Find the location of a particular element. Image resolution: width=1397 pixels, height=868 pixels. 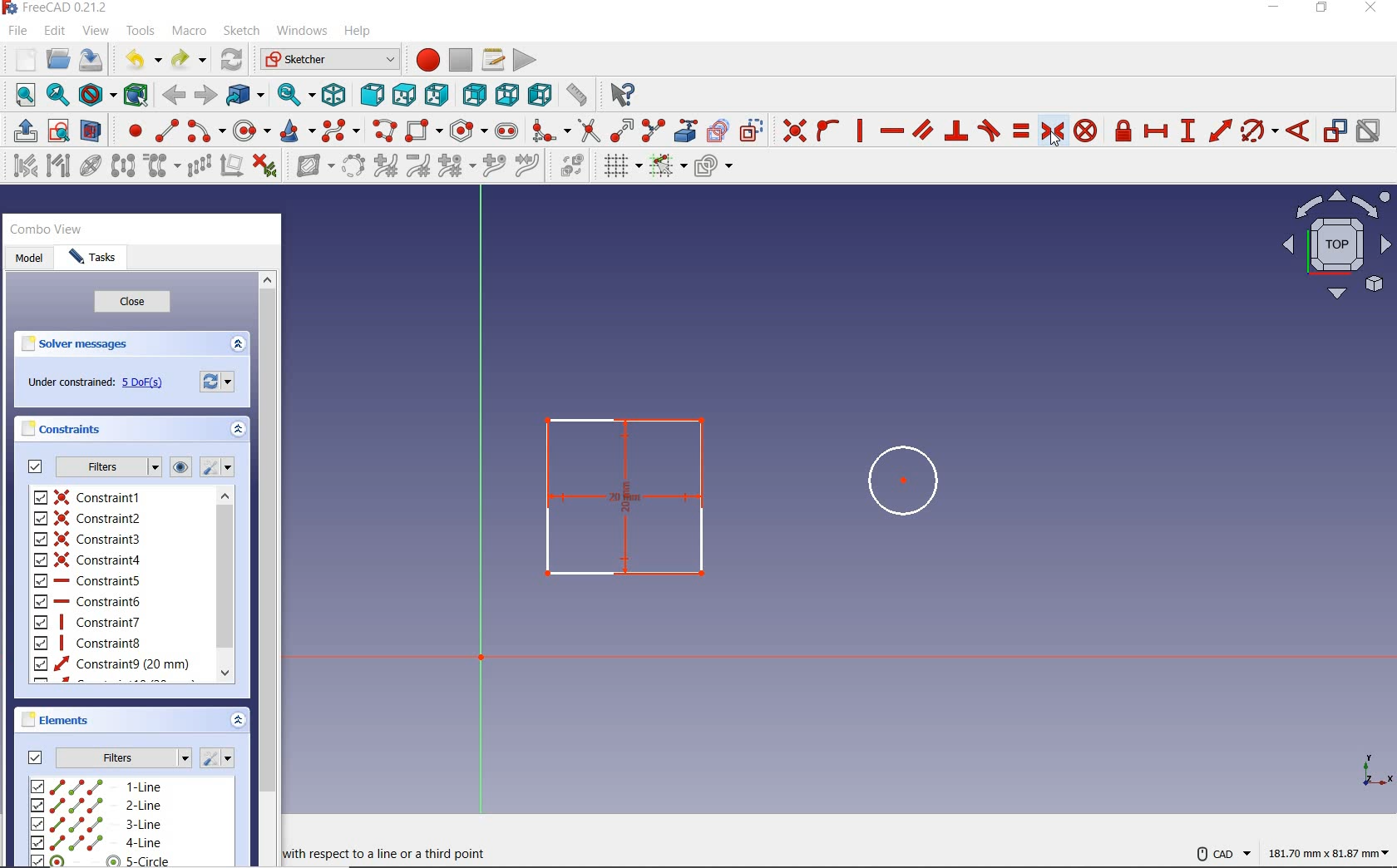

show/hide internal geometry is located at coordinates (91, 168).